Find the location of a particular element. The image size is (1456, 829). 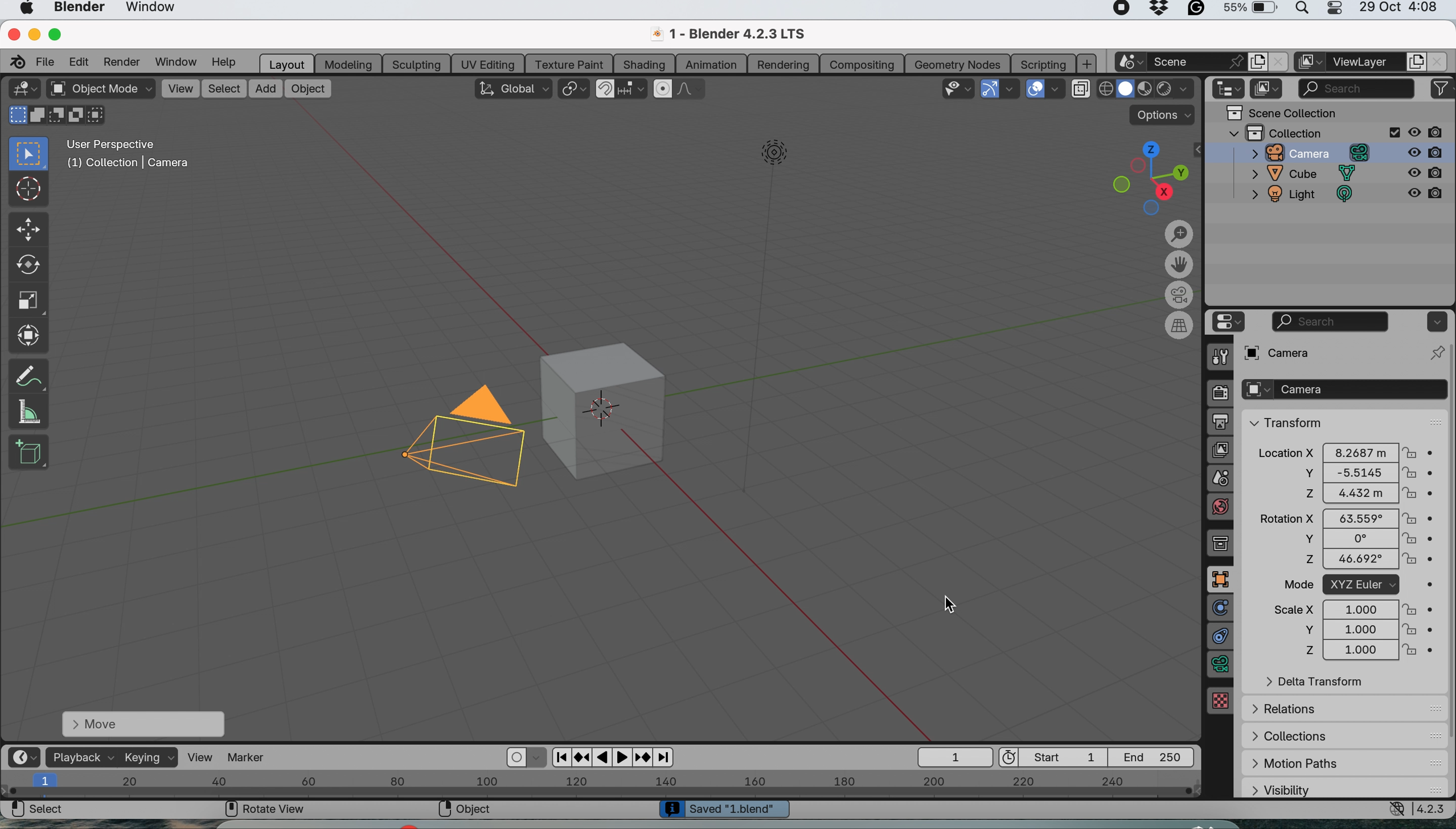

output is located at coordinates (1220, 423).